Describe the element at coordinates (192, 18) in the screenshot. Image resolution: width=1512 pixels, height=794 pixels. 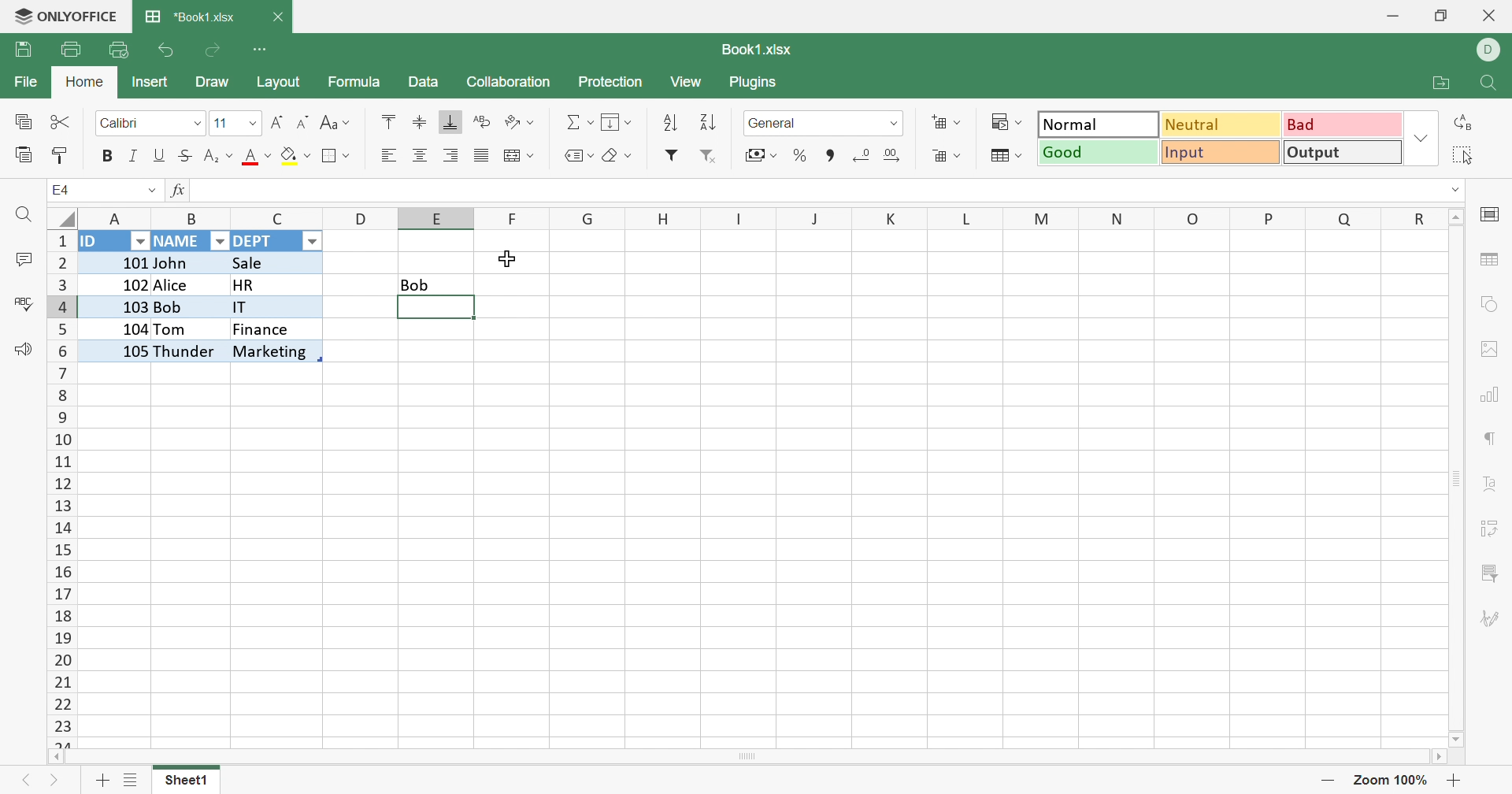
I see `*Book1.xlsx` at that location.